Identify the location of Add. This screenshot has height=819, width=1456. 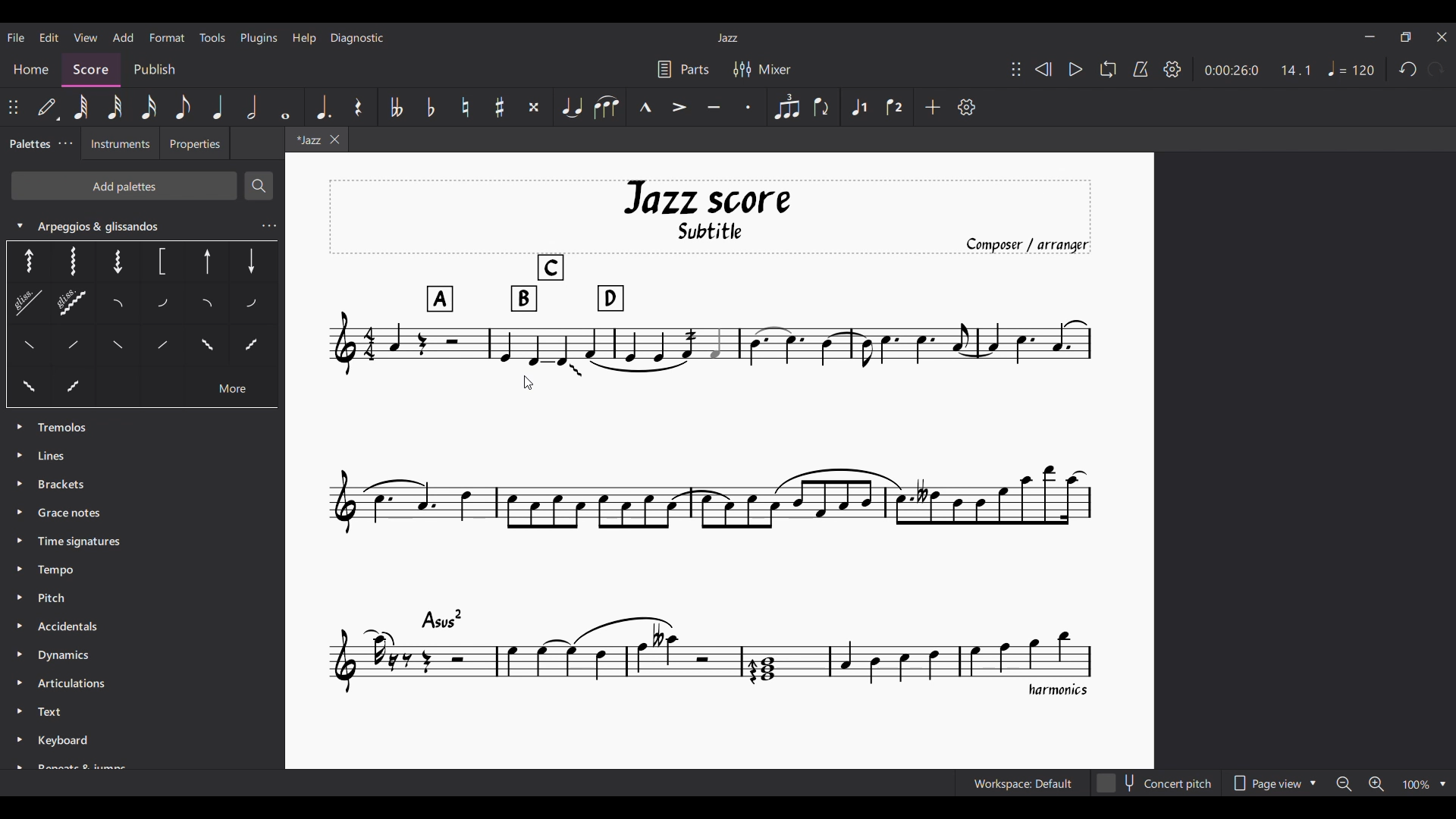
(933, 107).